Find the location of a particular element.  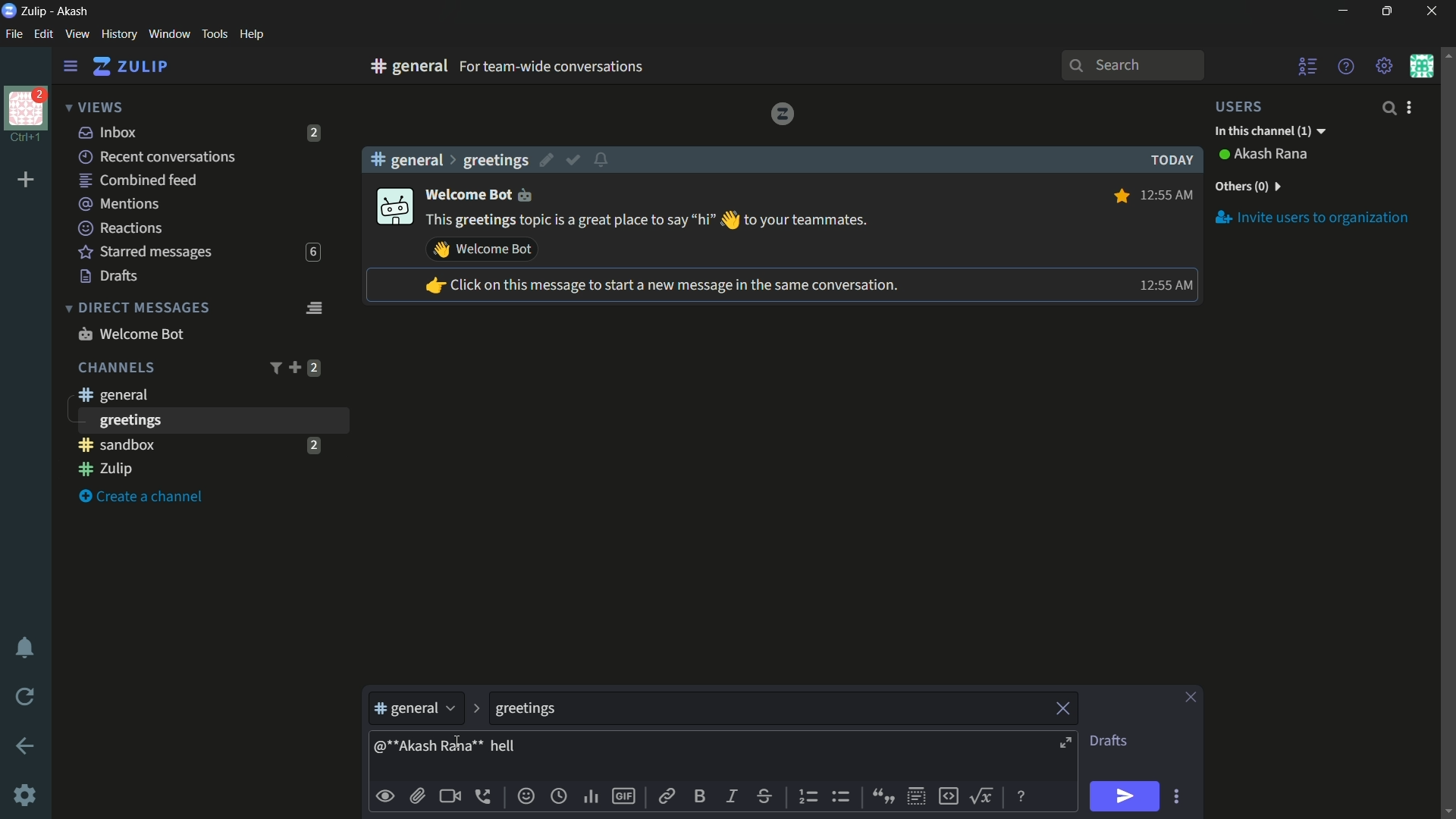

Zulip is located at coordinates (36, 11).